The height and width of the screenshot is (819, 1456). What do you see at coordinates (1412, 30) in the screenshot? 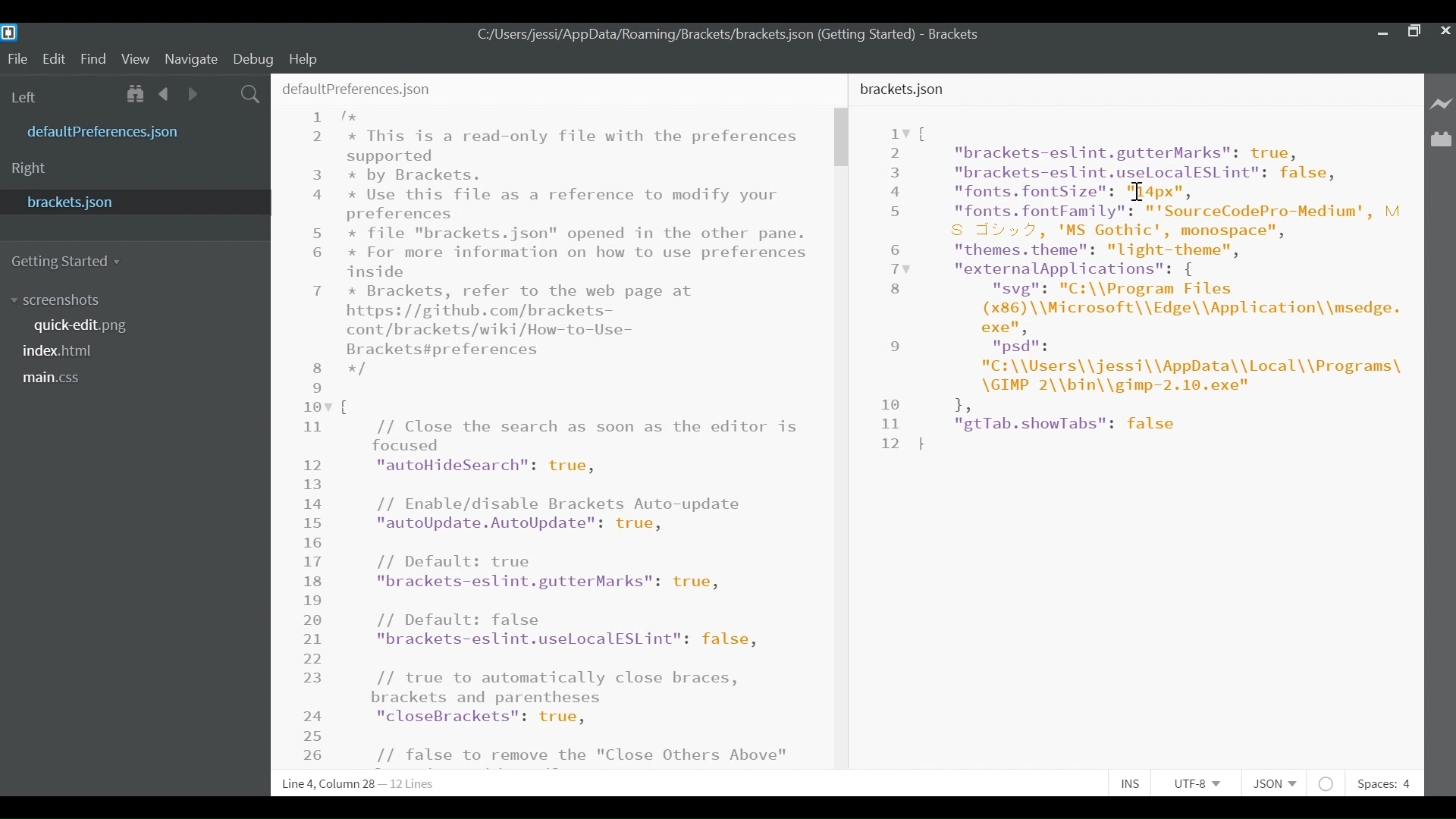
I see `Restore` at bounding box center [1412, 30].